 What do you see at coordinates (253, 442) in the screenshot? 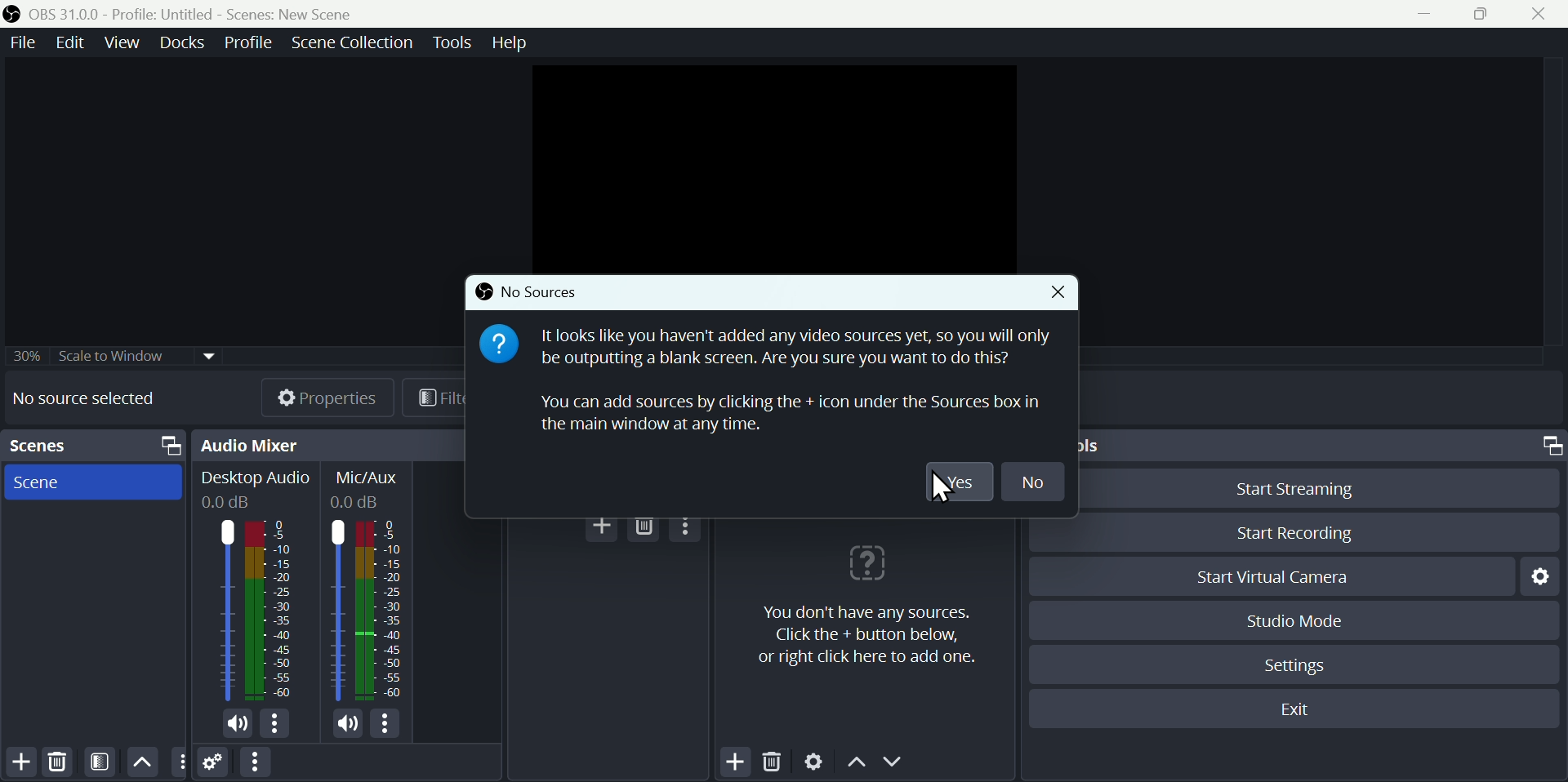
I see `Audio mixer` at bounding box center [253, 442].